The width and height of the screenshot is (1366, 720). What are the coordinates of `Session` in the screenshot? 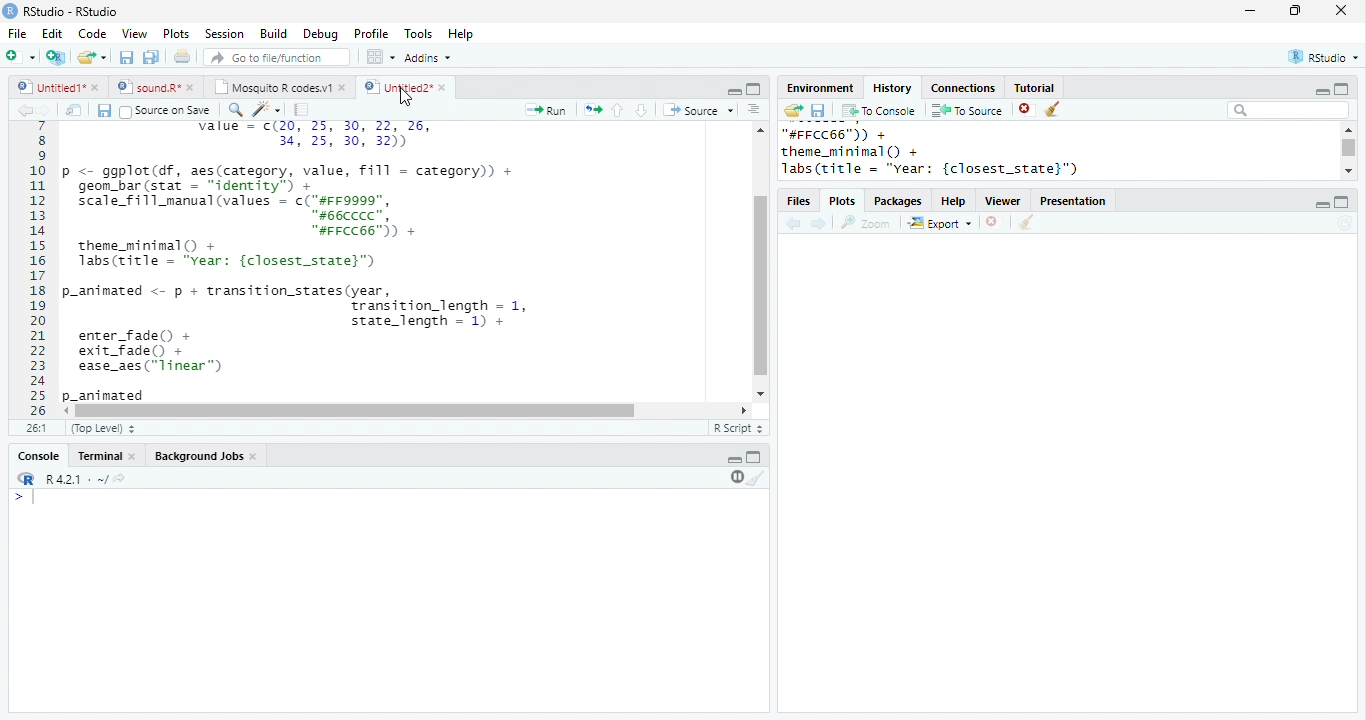 It's located at (223, 34).